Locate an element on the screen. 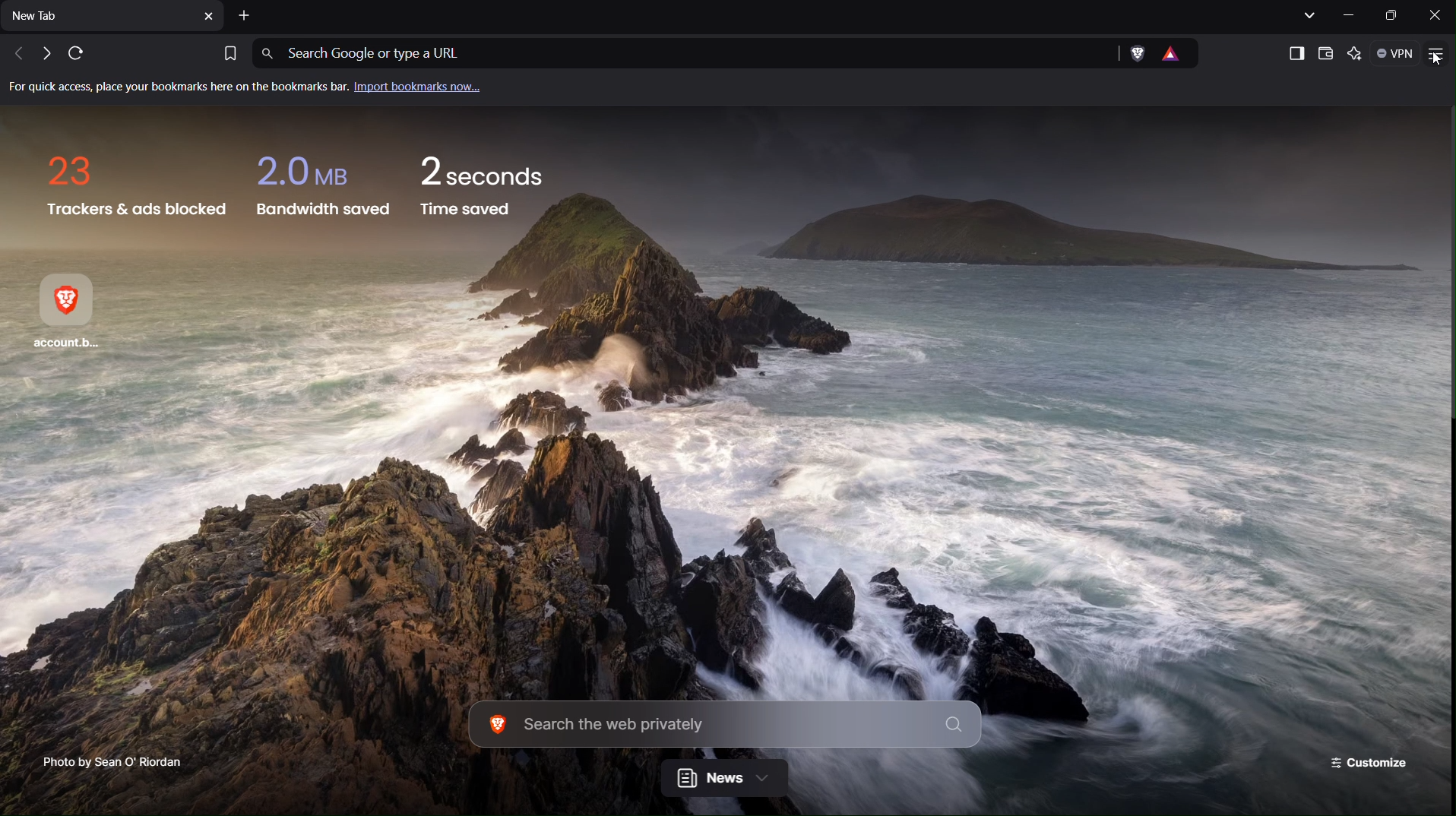 This screenshot has width=1456, height=816. List all tabs is located at coordinates (1307, 15).